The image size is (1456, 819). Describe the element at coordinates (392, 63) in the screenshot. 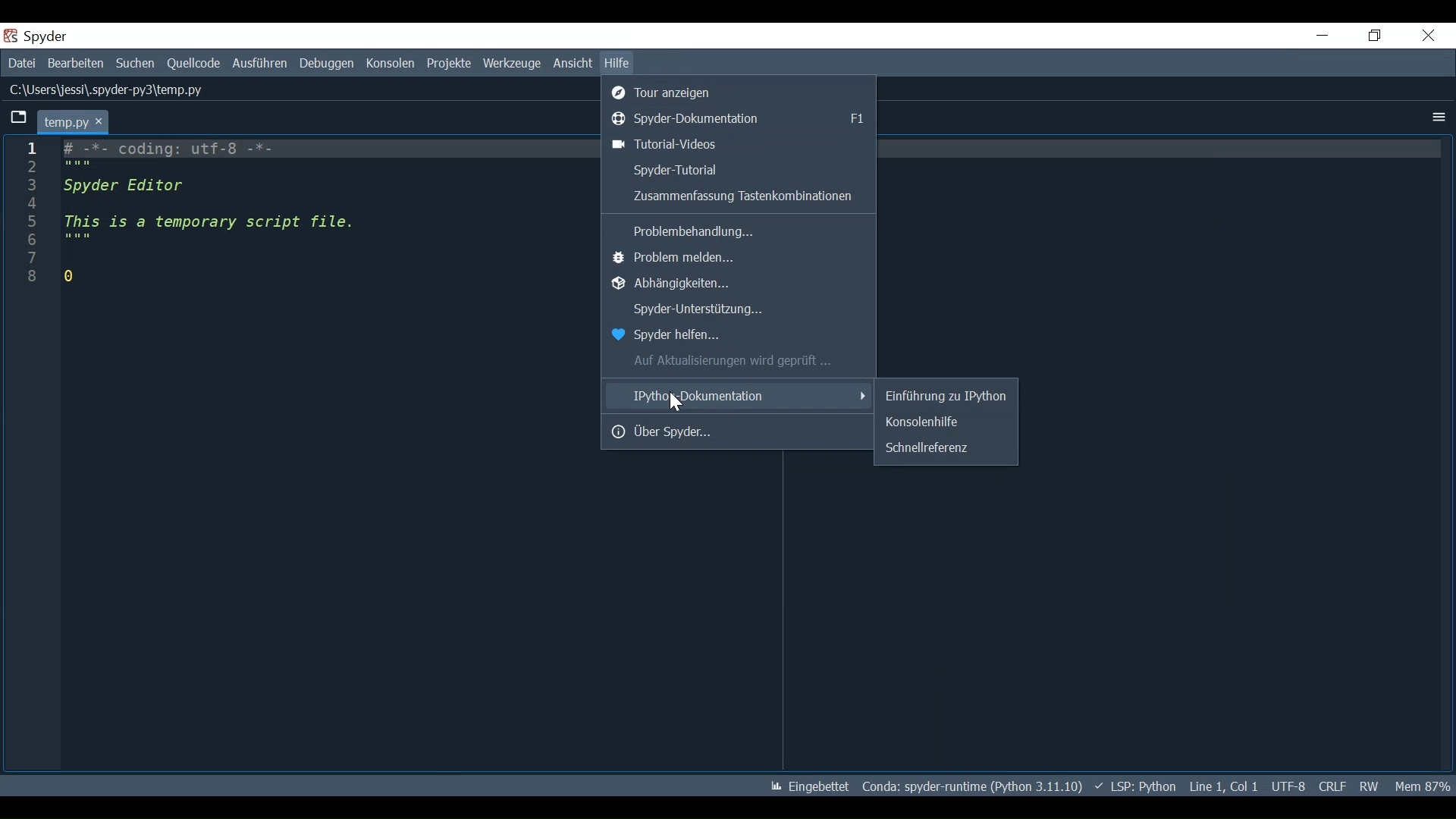

I see `Consoles` at that location.